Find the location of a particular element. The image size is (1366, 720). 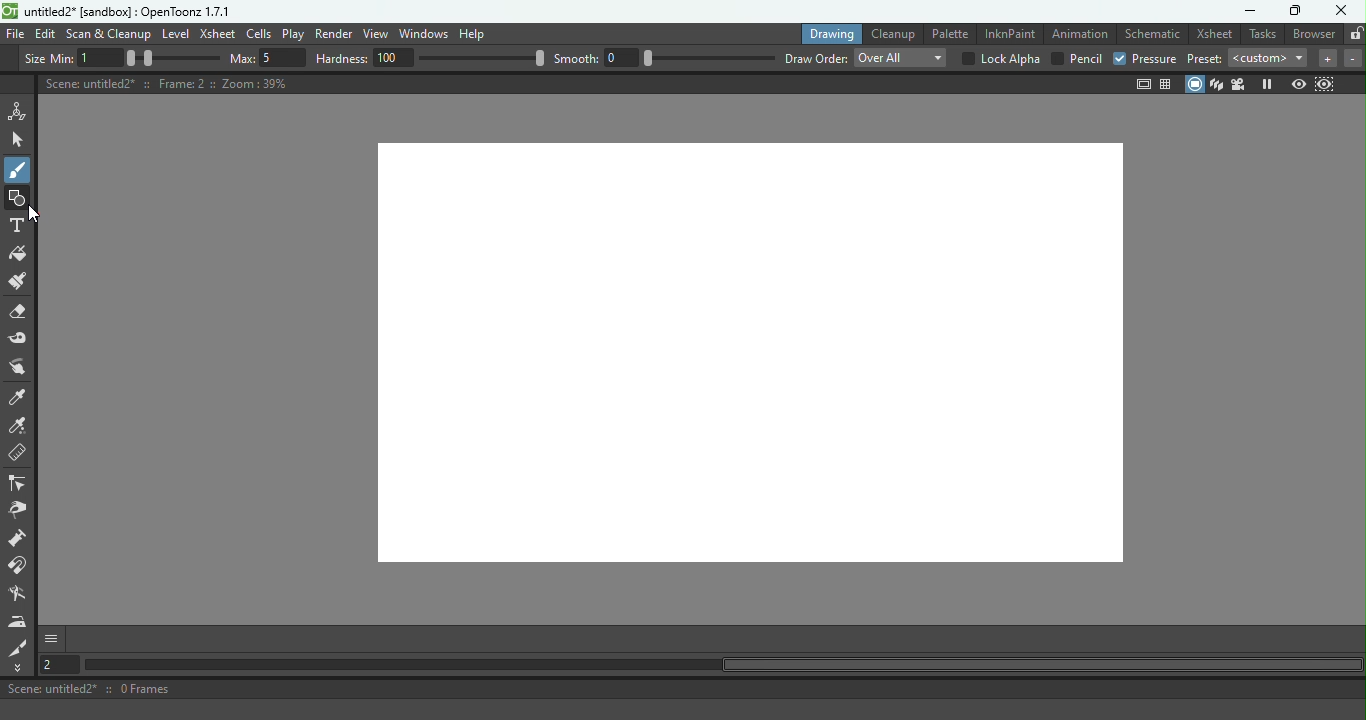

Type tool is located at coordinates (20, 227).